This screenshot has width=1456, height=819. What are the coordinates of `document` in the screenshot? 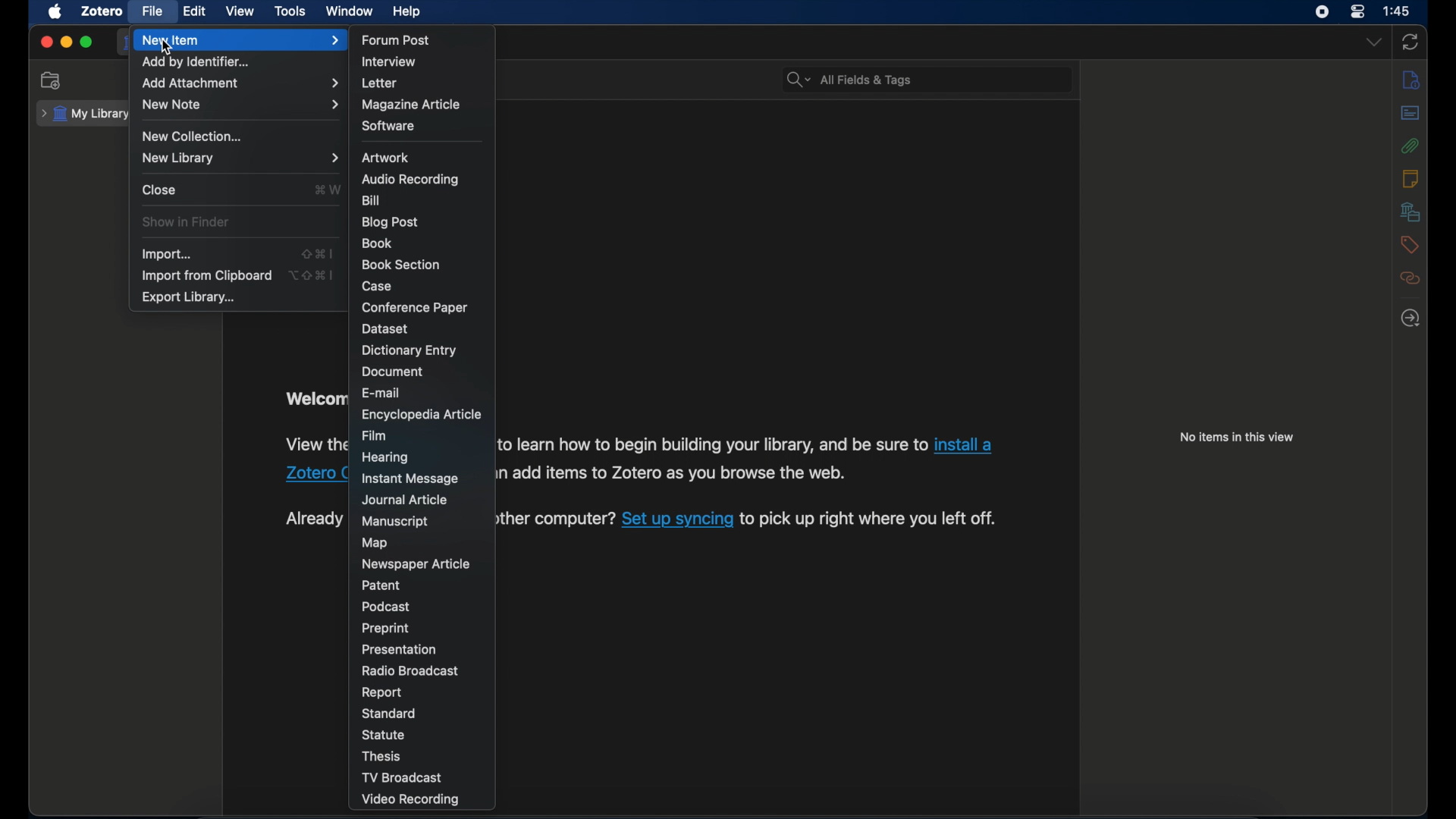 It's located at (391, 371).